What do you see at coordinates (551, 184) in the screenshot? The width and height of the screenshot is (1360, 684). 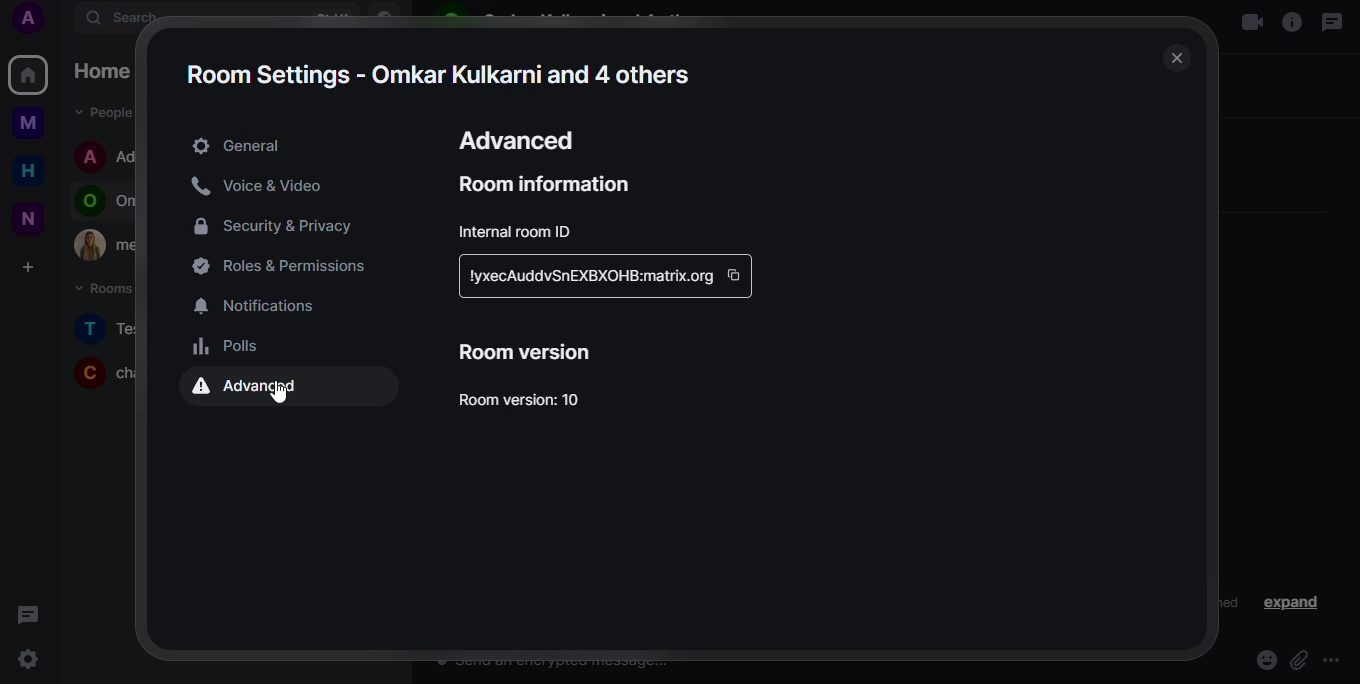 I see `room information` at bounding box center [551, 184].